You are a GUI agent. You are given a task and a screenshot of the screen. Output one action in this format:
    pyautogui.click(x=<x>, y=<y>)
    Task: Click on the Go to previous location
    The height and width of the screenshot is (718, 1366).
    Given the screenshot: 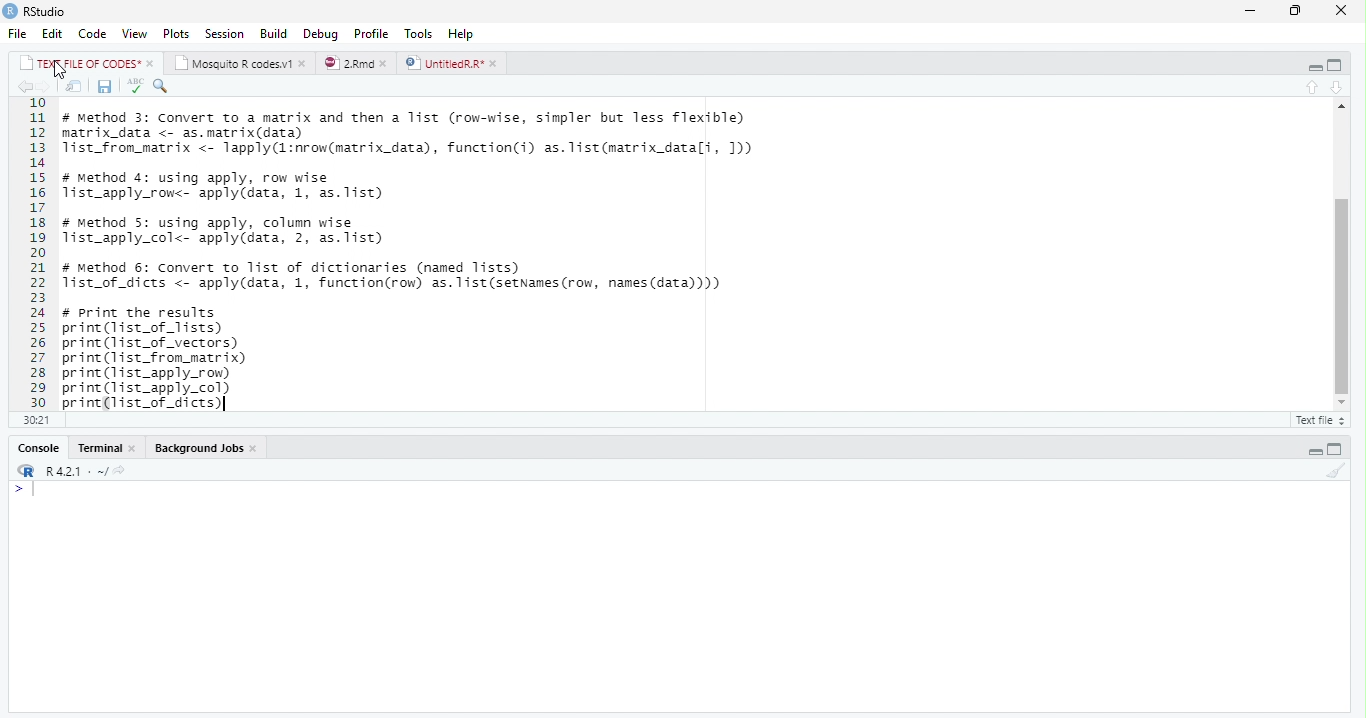 What is the action you would take?
    pyautogui.click(x=23, y=87)
    